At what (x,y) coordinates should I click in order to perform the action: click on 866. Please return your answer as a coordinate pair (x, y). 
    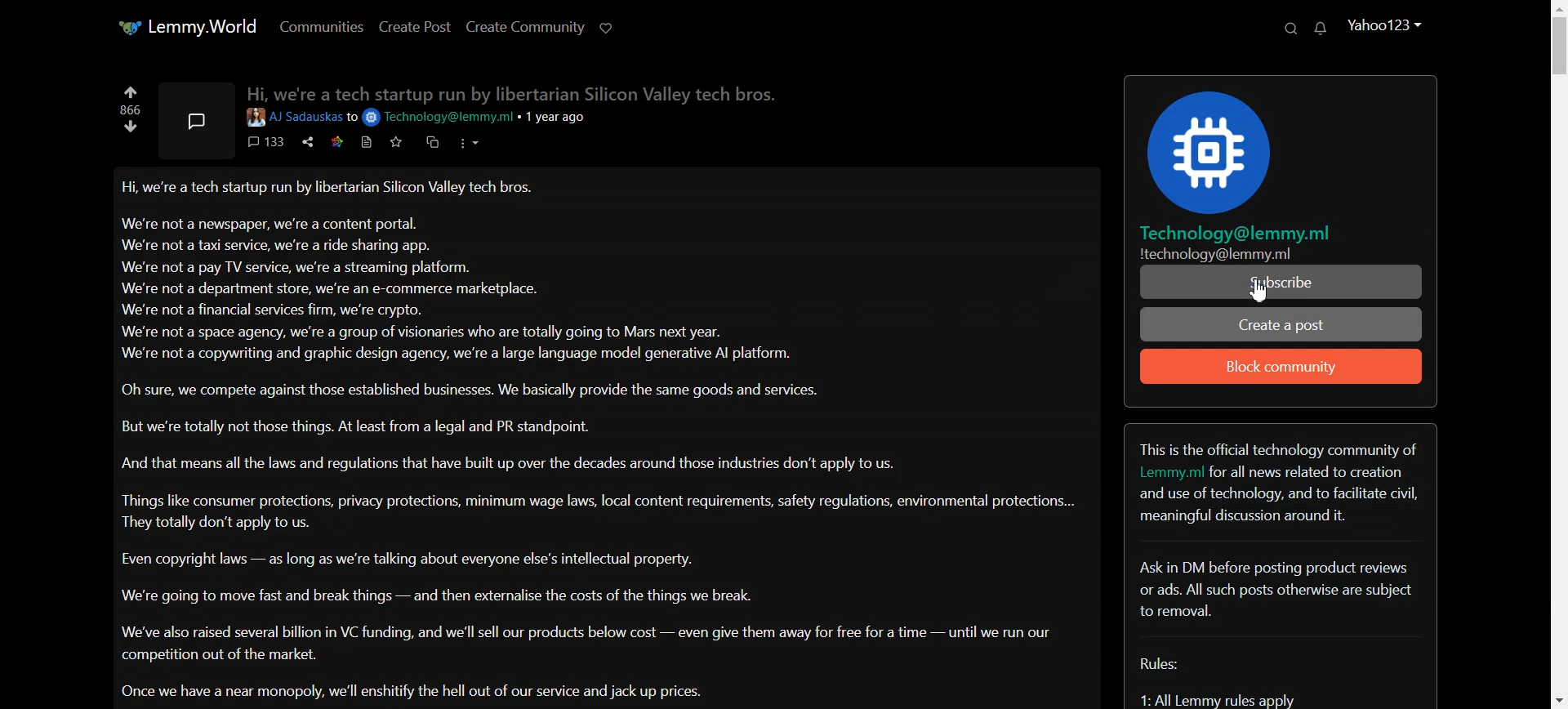
    Looking at the image, I should click on (130, 110).